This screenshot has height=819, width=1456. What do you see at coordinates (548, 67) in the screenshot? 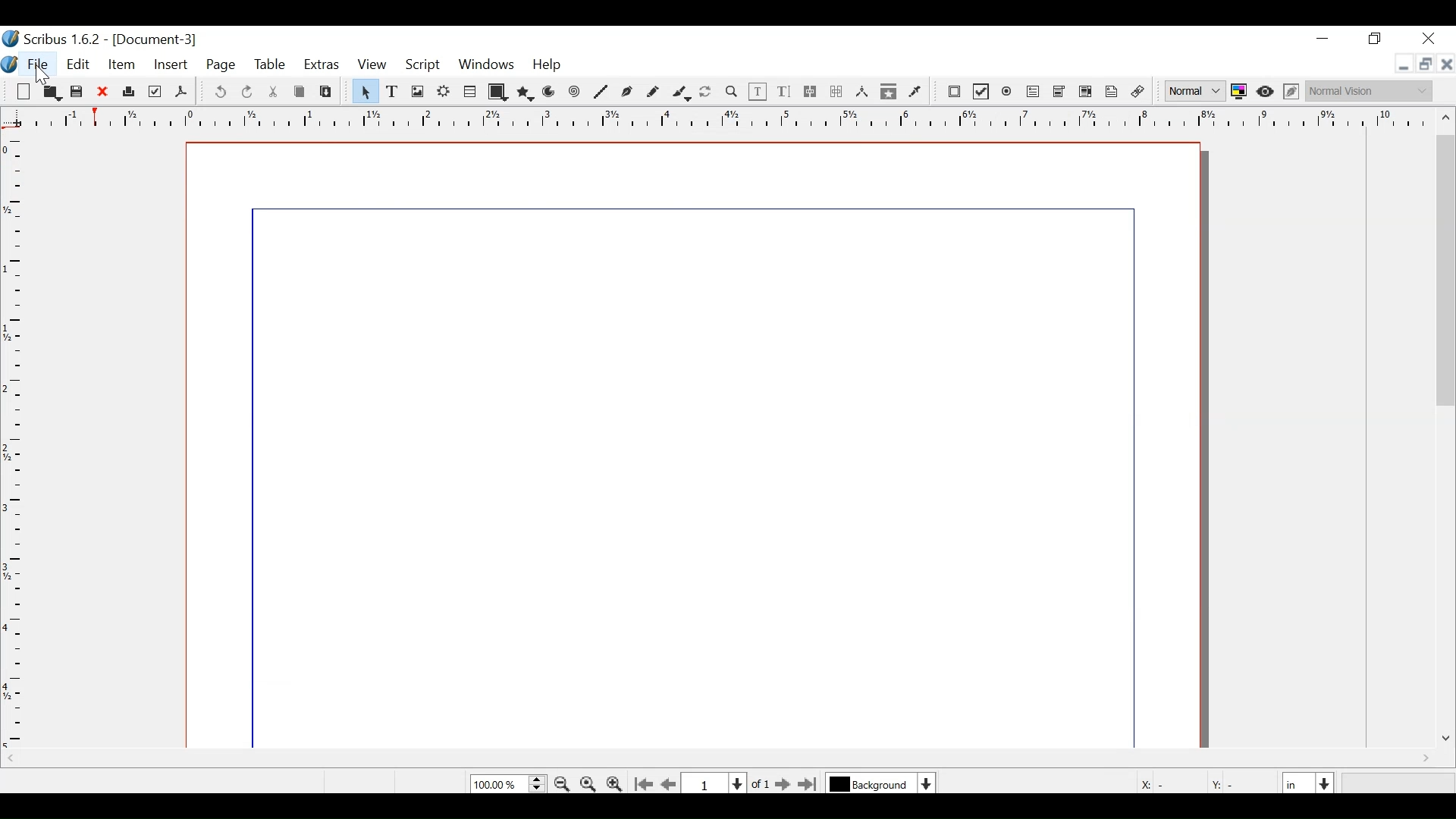
I see `Help` at bounding box center [548, 67].